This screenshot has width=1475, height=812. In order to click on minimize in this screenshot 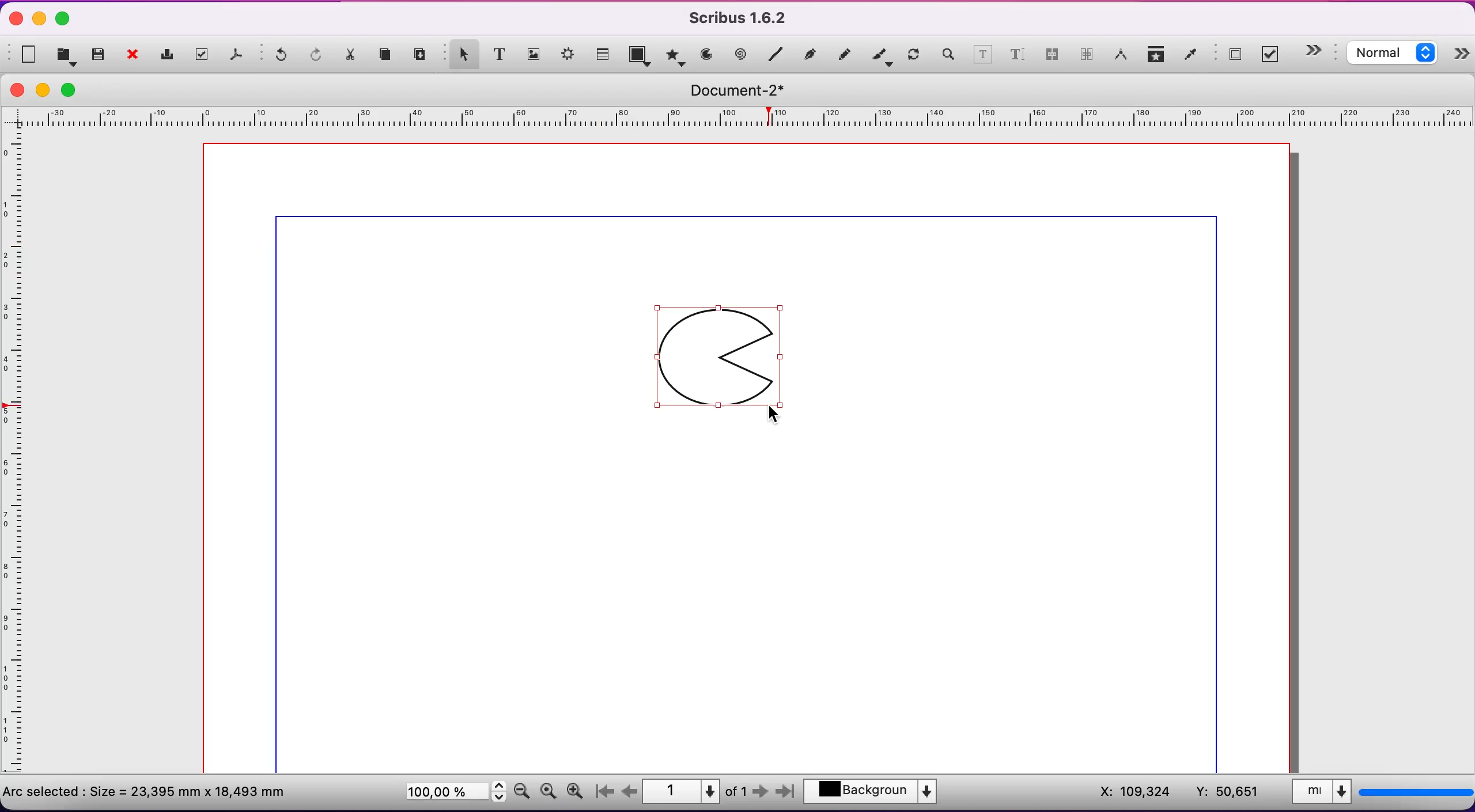, I will do `click(46, 90)`.